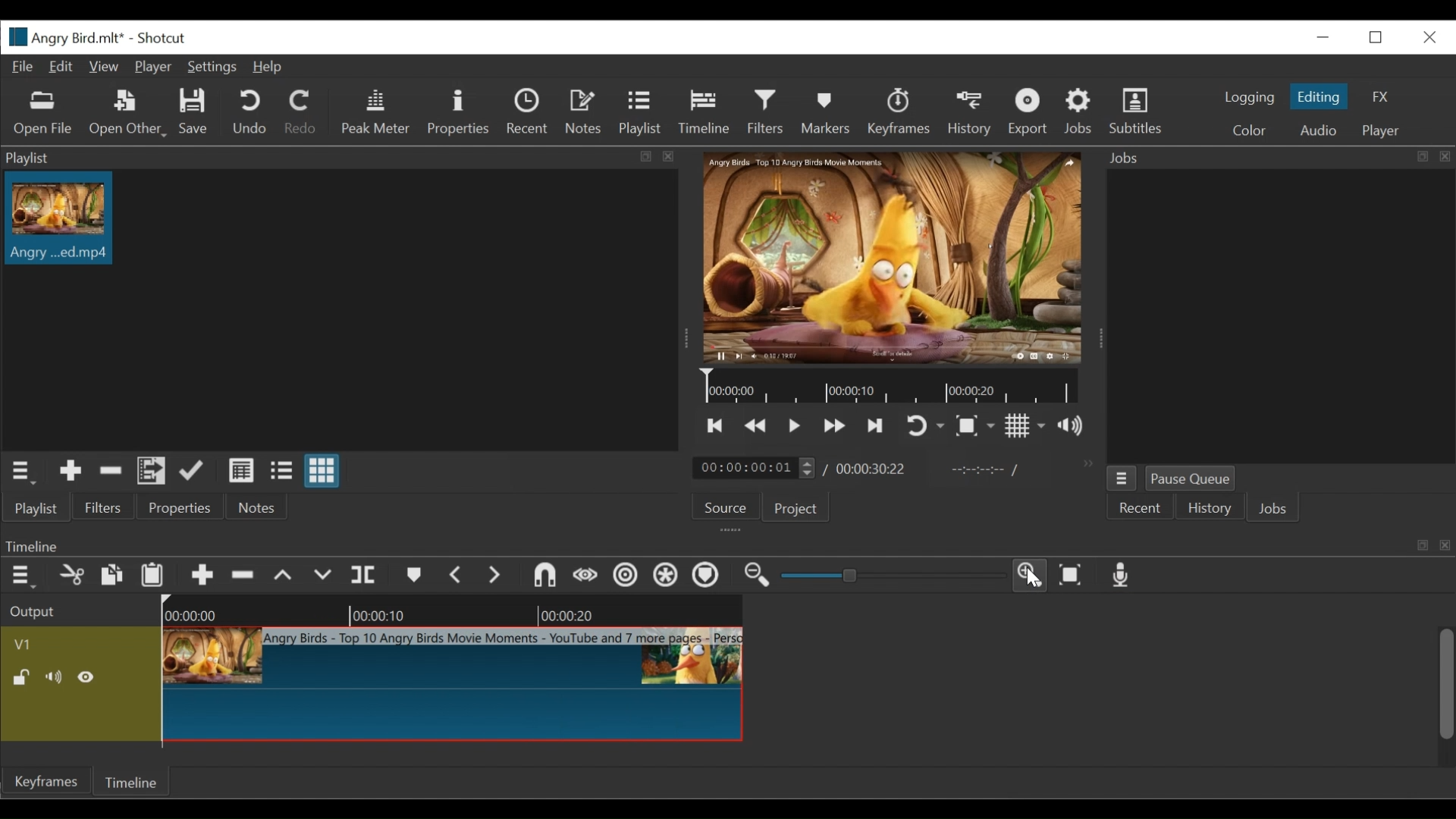 This screenshot has width=1456, height=819. I want to click on Lift, so click(283, 576).